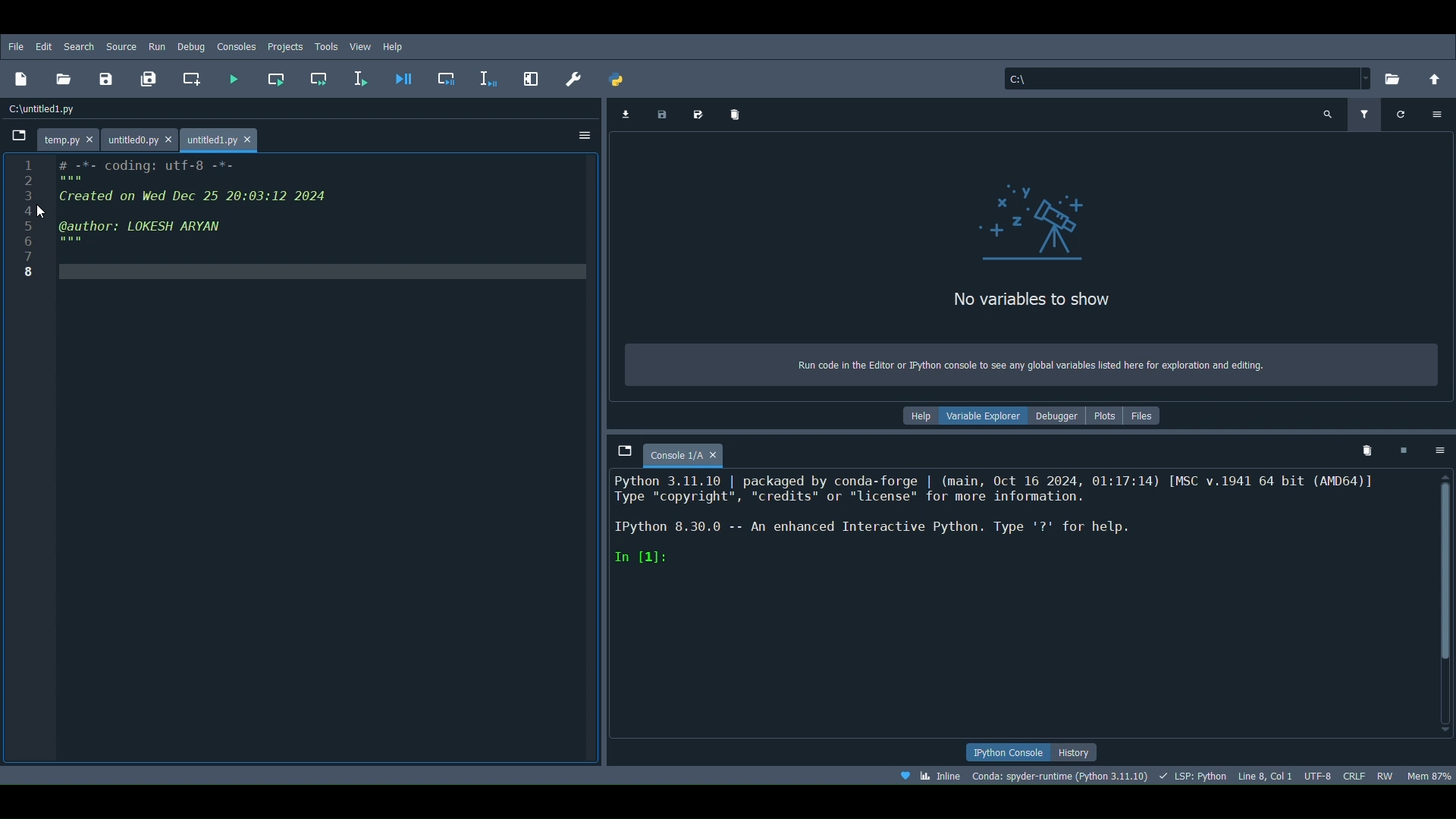 Image resolution: width=1456 pixels, height=819 pixels. What do you see at coordinates (1147, 414) in the screenshot?
I see `Files` at bounding box center [1147, 414].